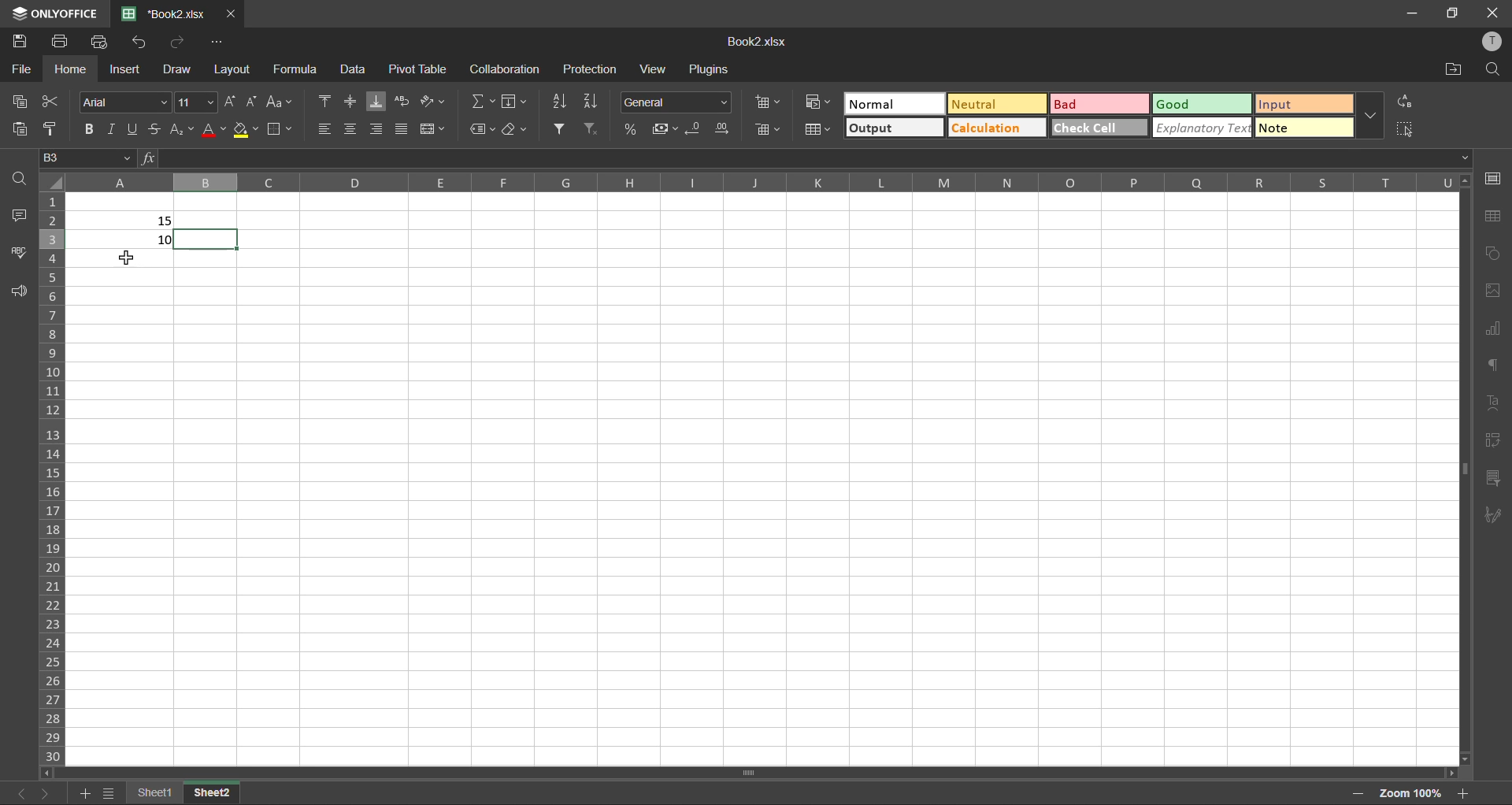 This screenshot has height=805, width=1512. Describe the element at coordinates (484, 101) in the screenshot. I see `summation` at that location.